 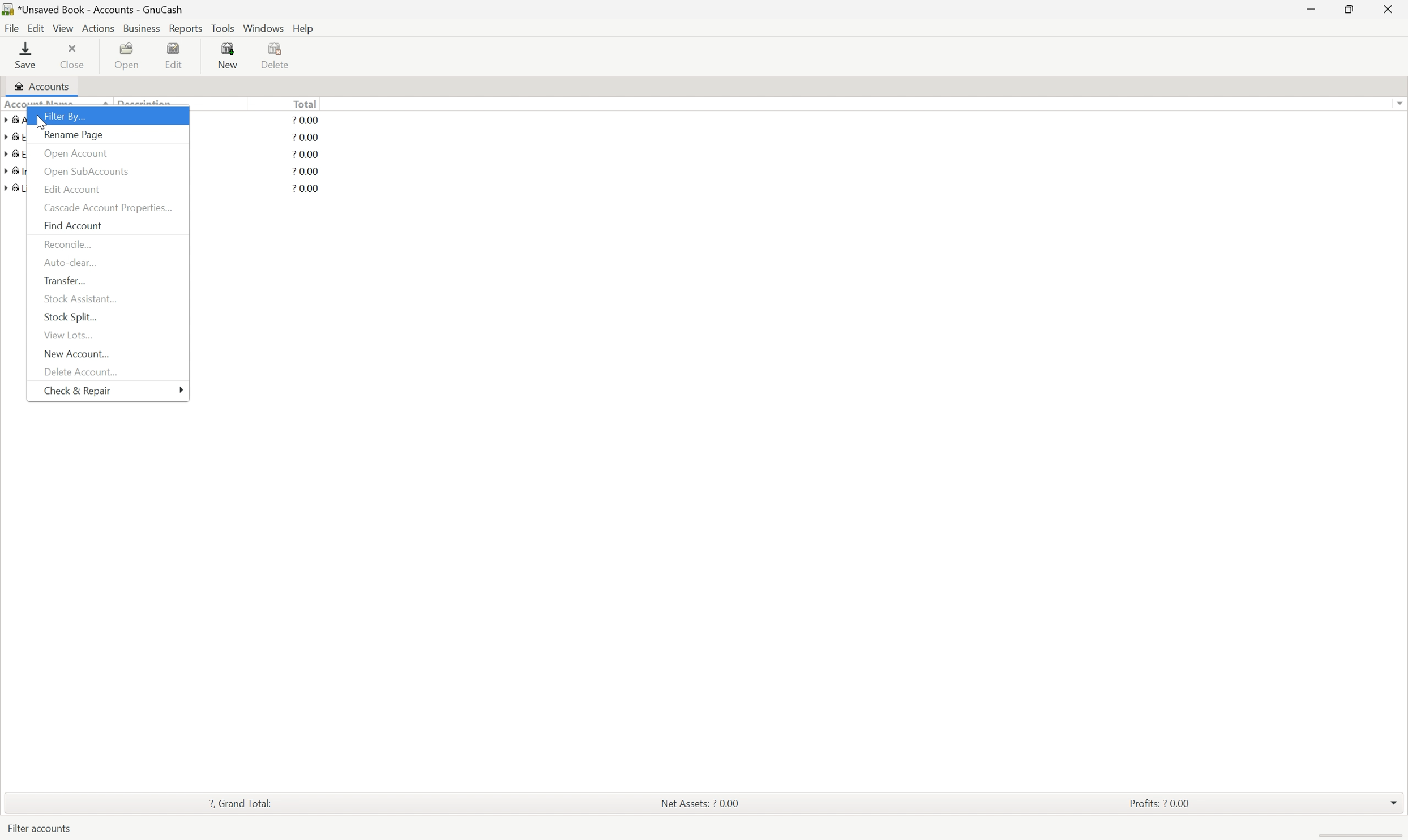 What do you see at coordinates (115, 389) in the screenshot?
I see `Check and repair` at bounding box center [115, 389].